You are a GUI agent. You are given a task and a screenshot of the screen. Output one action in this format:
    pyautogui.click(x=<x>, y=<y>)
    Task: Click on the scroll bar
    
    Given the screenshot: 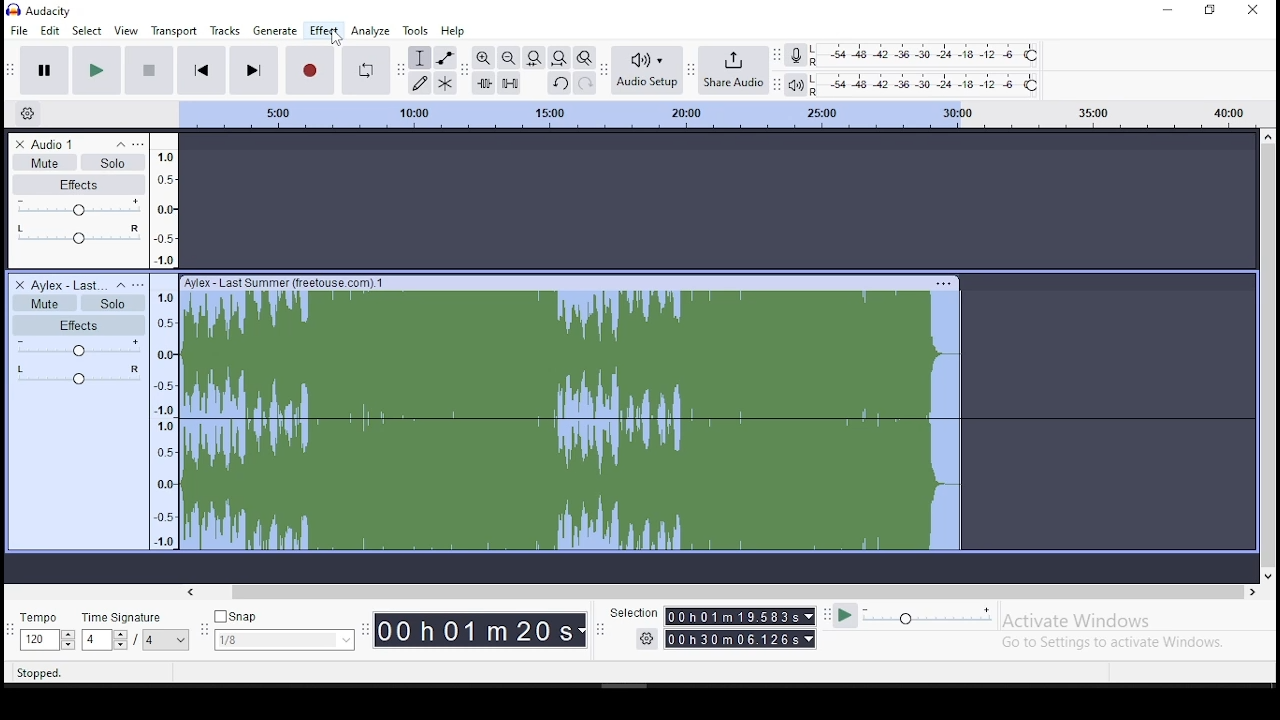 What is the action you would take?
    pyautogui.click(x=1266, y=353)
    